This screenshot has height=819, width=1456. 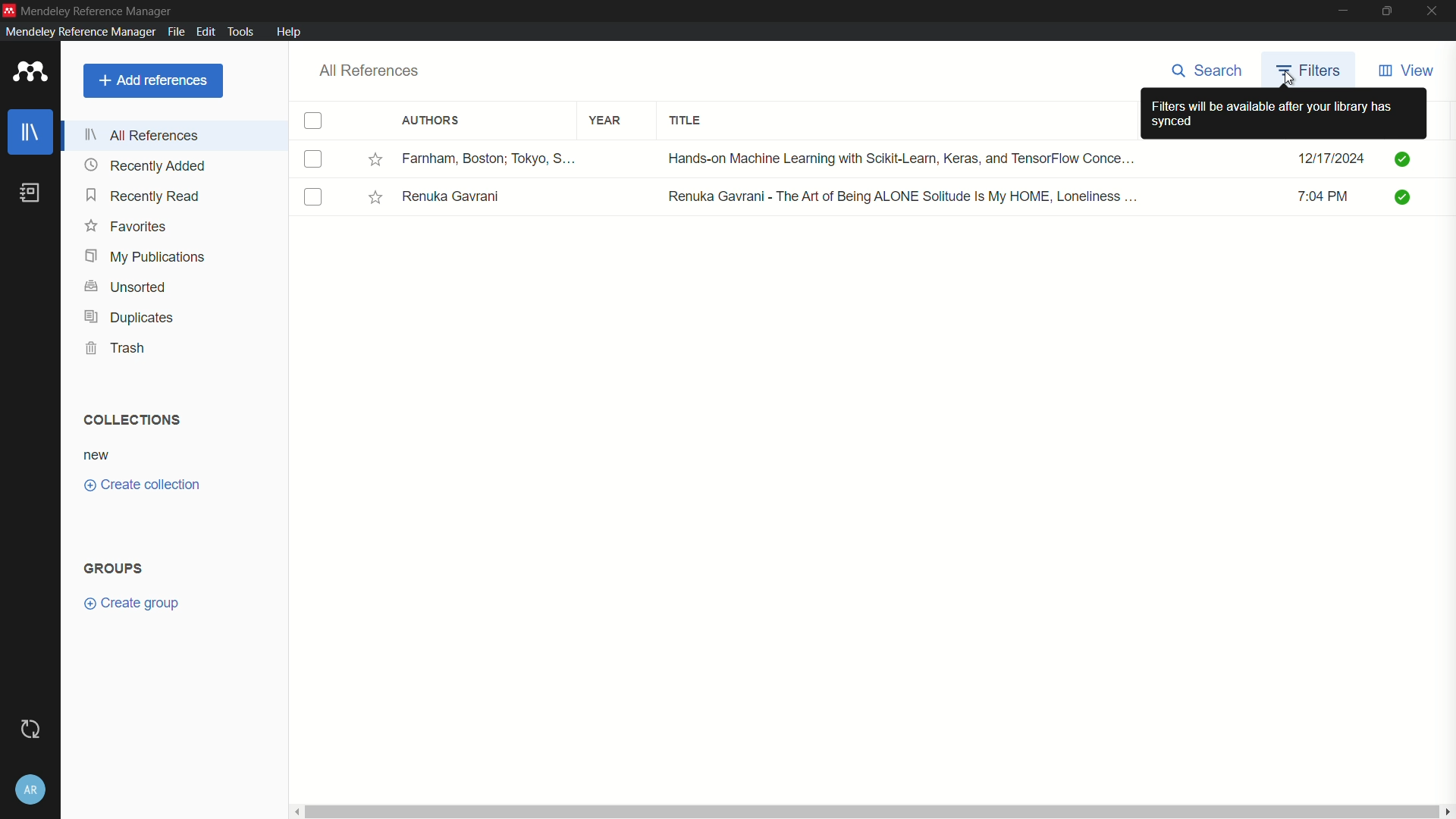 I want to click on my publications, so click(x=147, y=257).